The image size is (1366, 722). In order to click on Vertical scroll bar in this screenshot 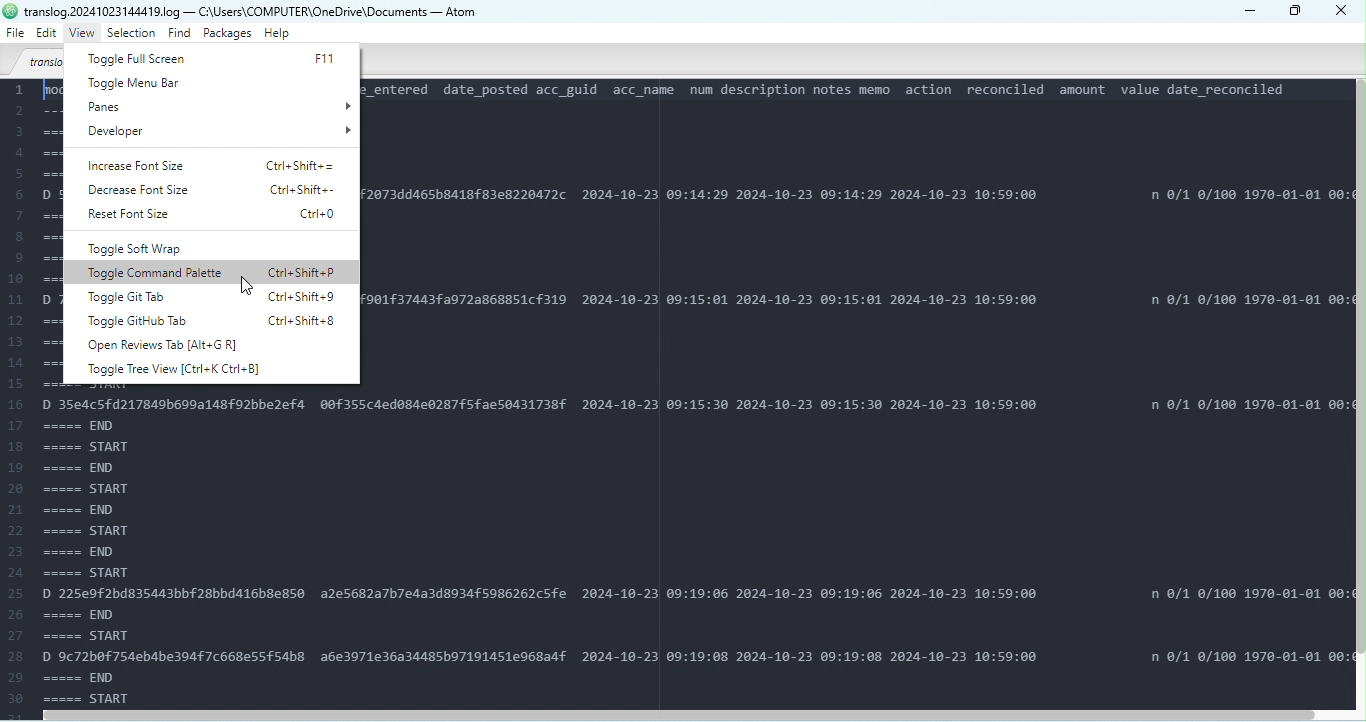, I will do `click(1358, 396)`.